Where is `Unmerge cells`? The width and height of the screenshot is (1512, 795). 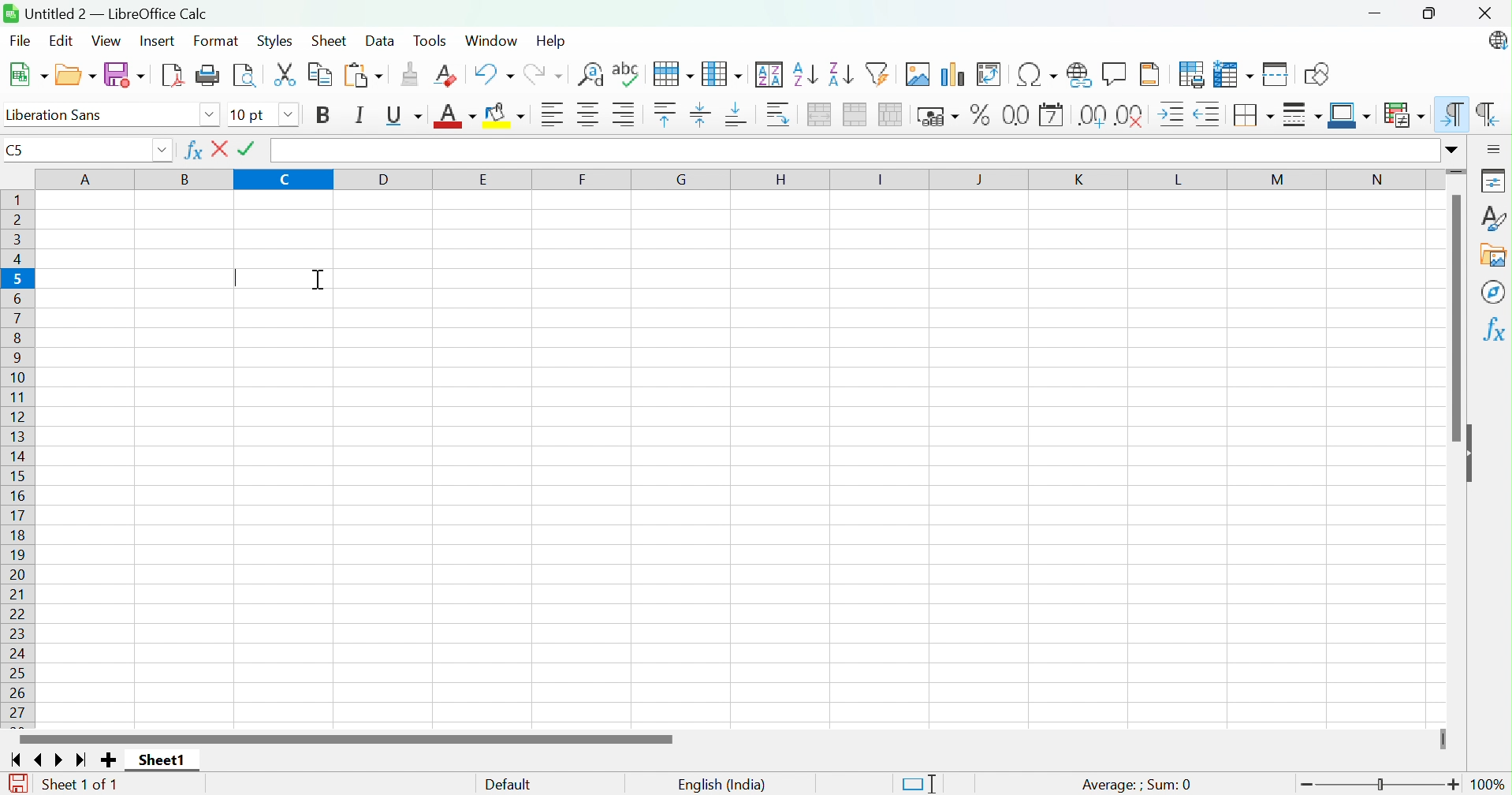
Unmerge cells is located at coordinates (892, 114).